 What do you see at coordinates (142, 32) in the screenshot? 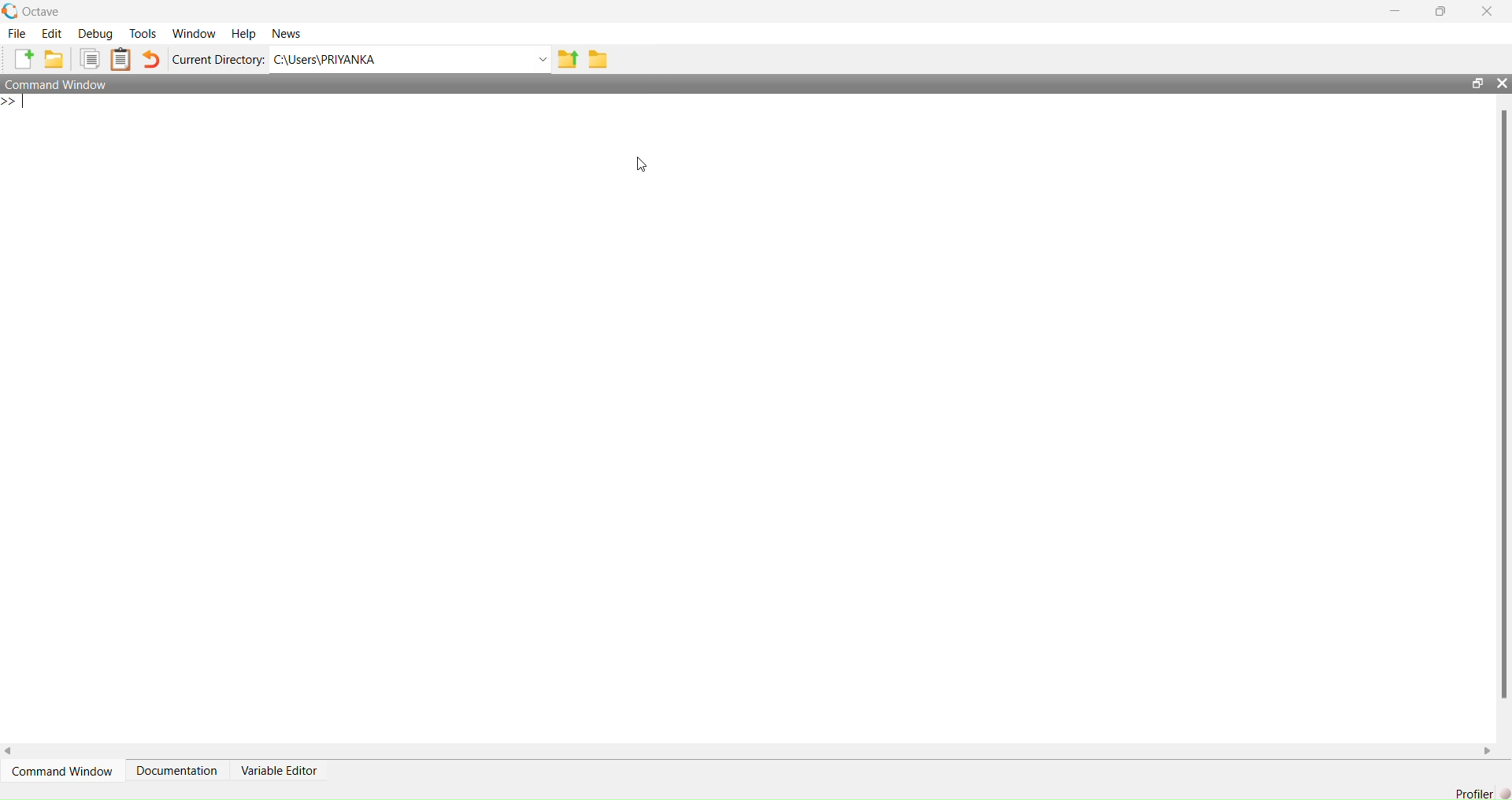
I see `tools` at bounding box center [142, 32].